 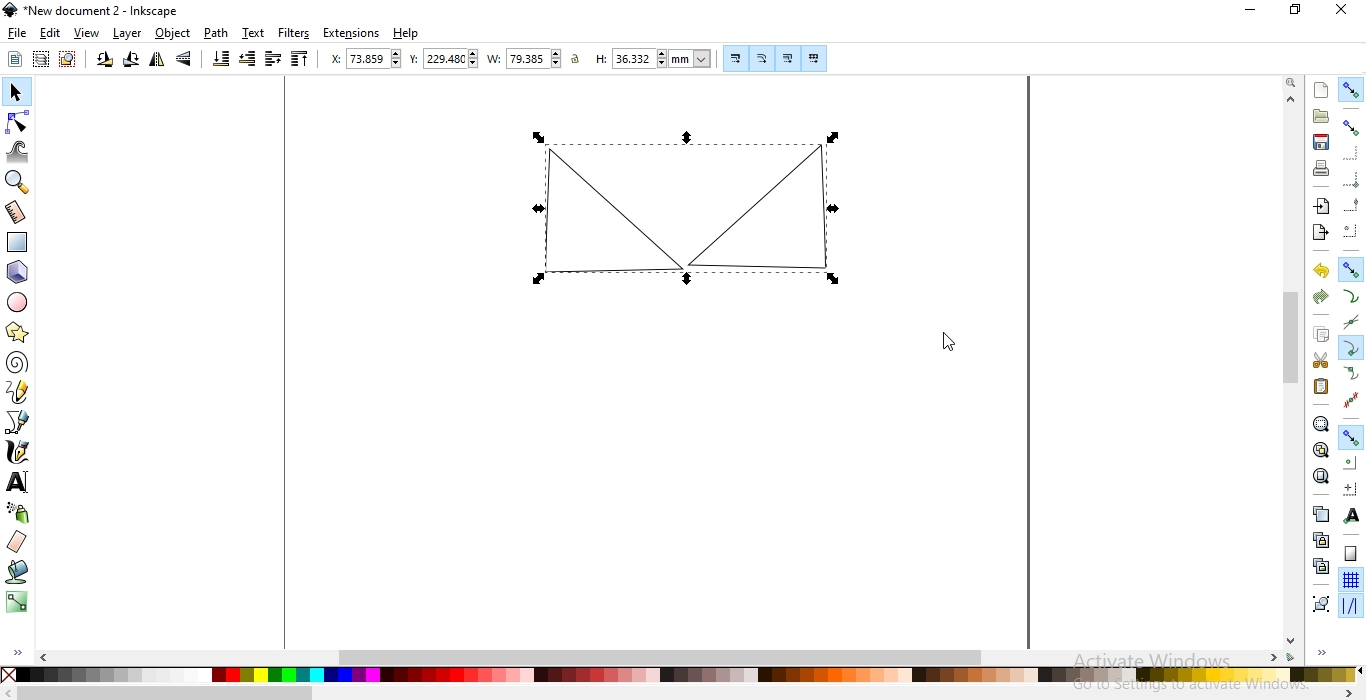 What do you see at coordinates (1294, 12) in the screenshot?
I see `maximize` at bounding box center [1294, 12].